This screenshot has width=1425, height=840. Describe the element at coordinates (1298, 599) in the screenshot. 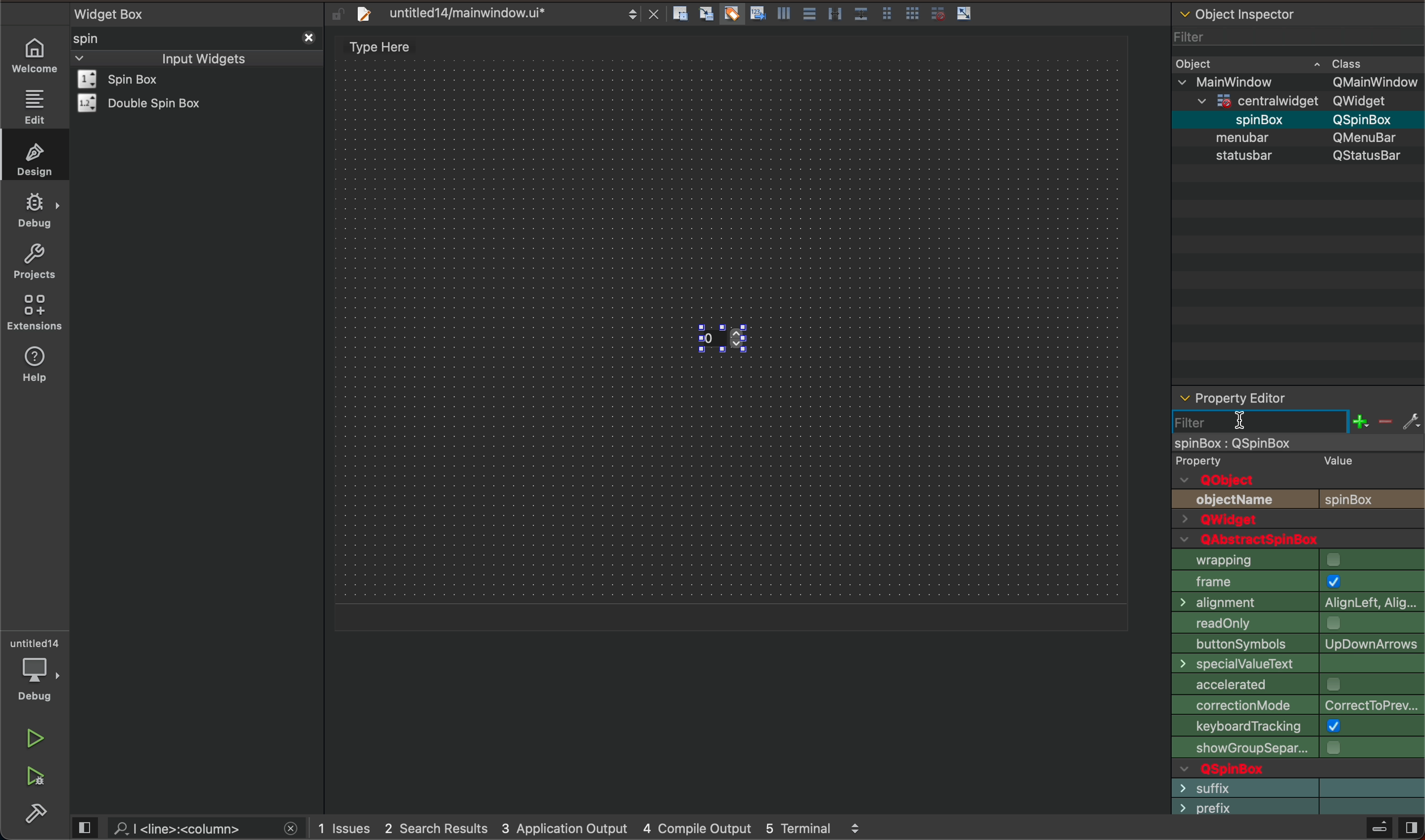

I see `animated` at that location.